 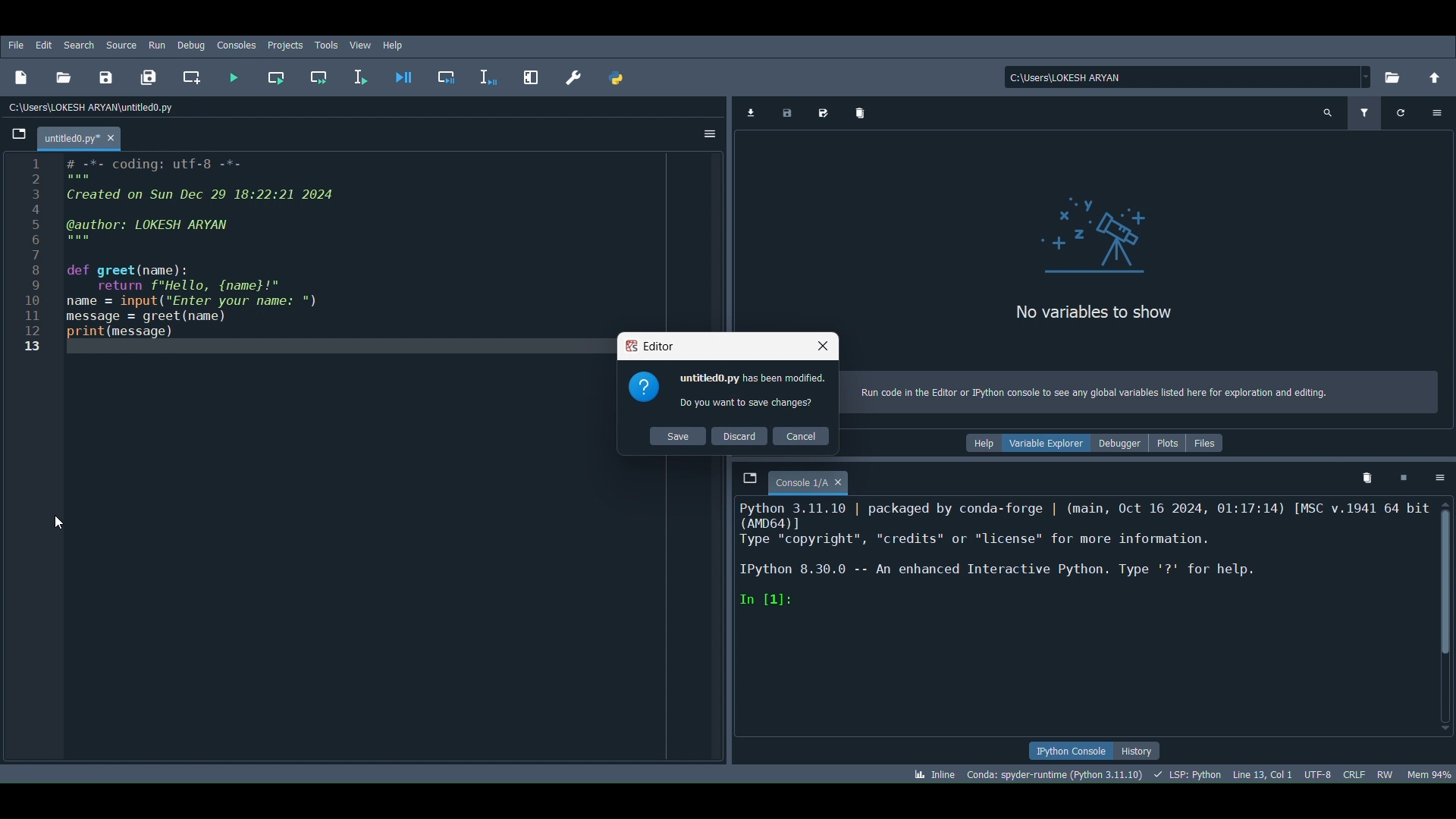 I want to click on Save data, so click(x=788, y=113).